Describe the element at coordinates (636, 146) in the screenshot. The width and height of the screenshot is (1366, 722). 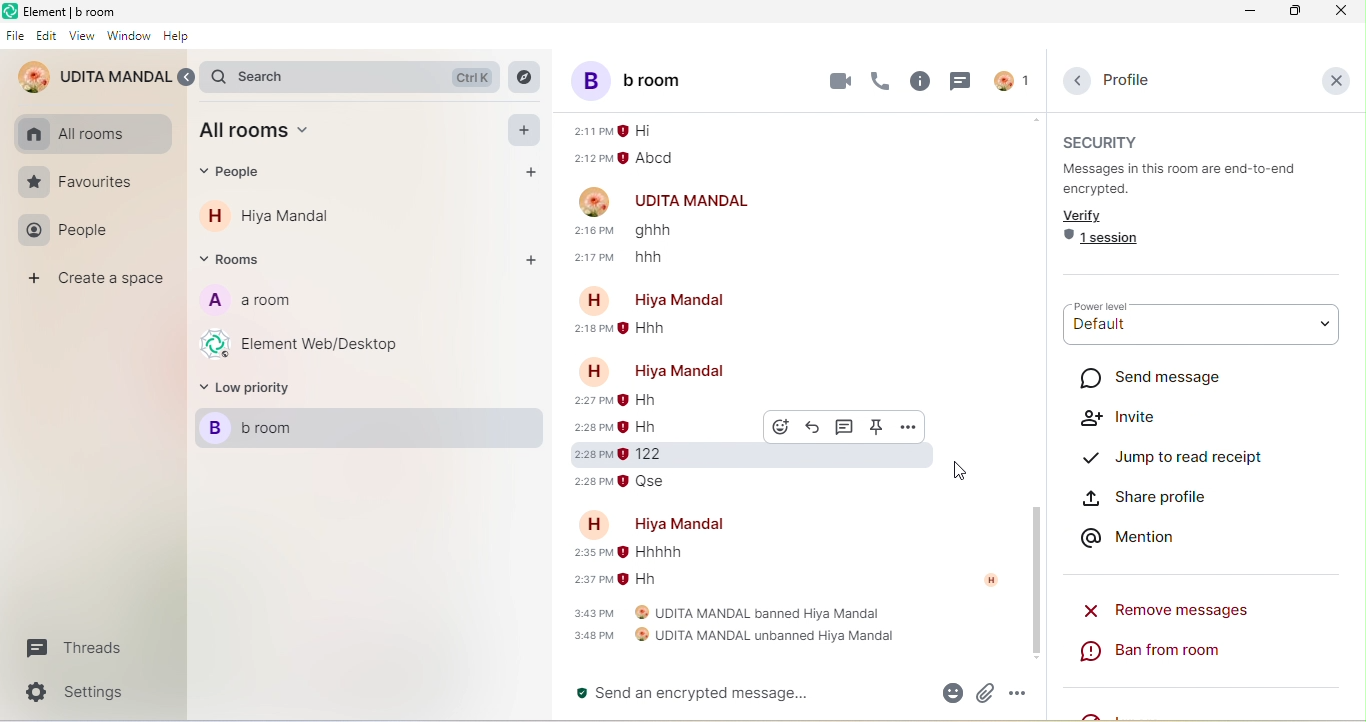
I see `older message` at that location.